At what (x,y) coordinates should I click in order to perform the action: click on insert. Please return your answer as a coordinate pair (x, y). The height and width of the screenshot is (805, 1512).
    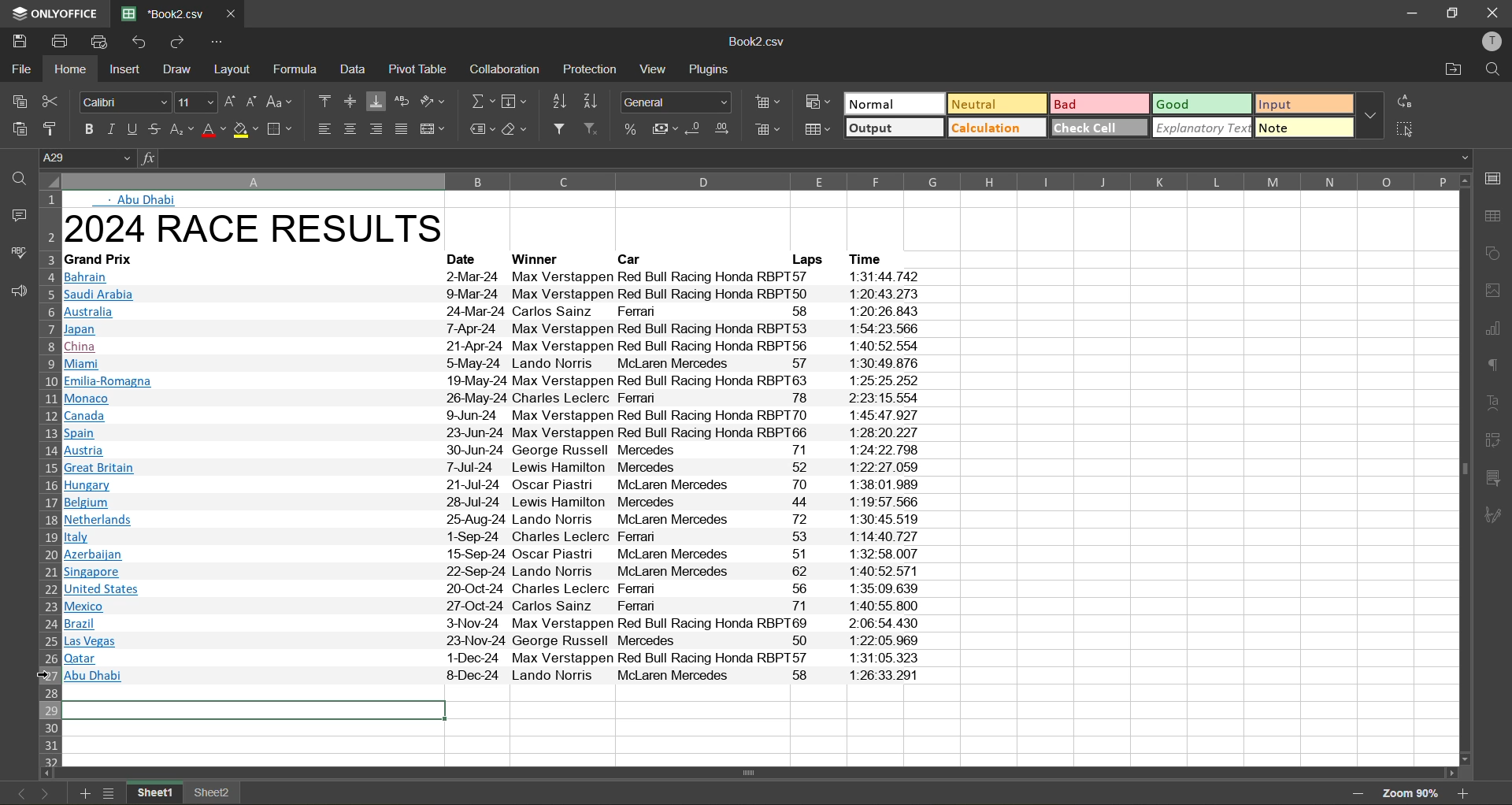
    Looking at the image, I should click on (127, 72).